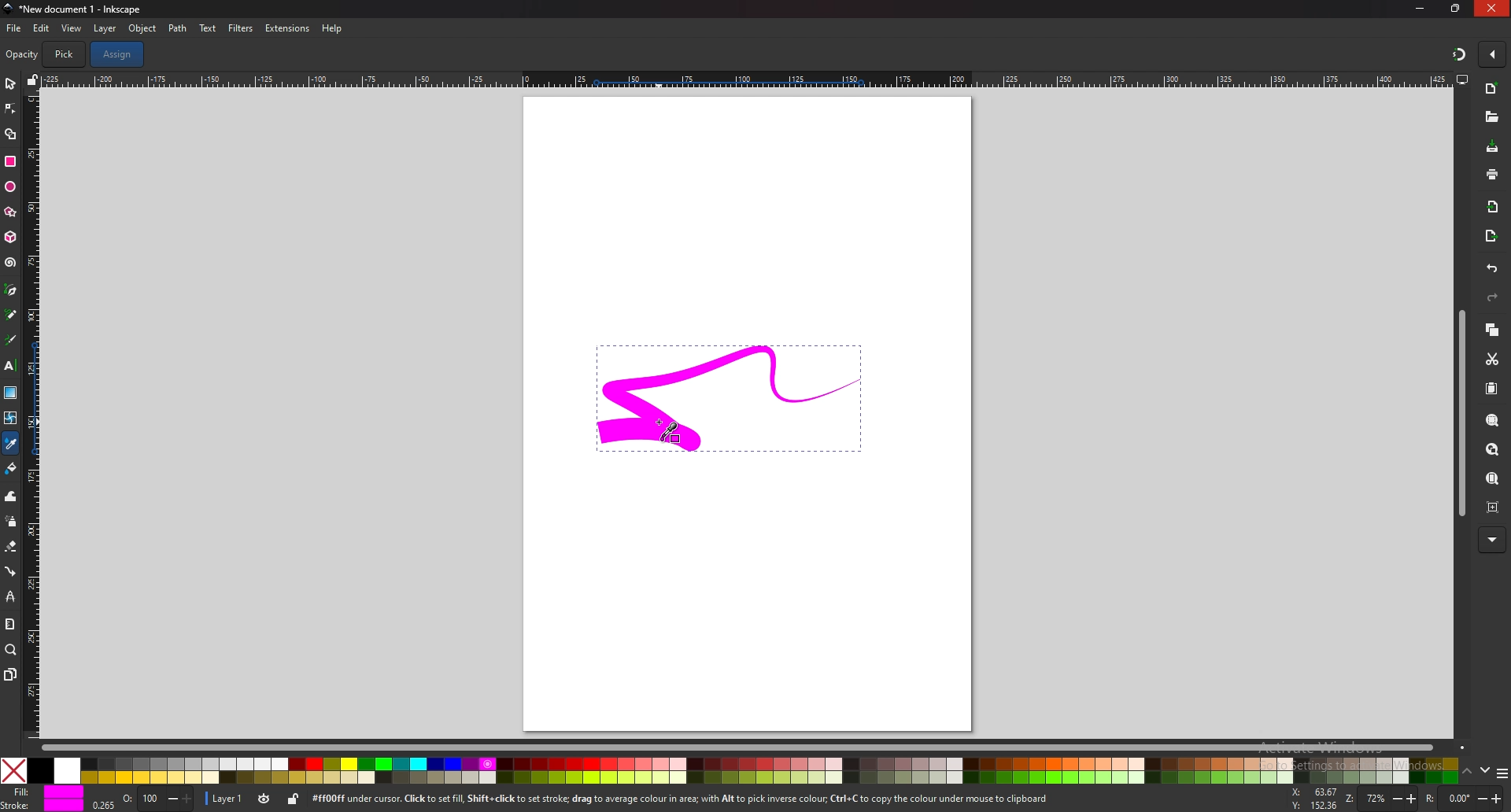 The height and width of the screenshot is (812, 1511). What do you see at coordinates (289, 28) in the screenshot?
I see `extensions` at bounding box center [289, 28].